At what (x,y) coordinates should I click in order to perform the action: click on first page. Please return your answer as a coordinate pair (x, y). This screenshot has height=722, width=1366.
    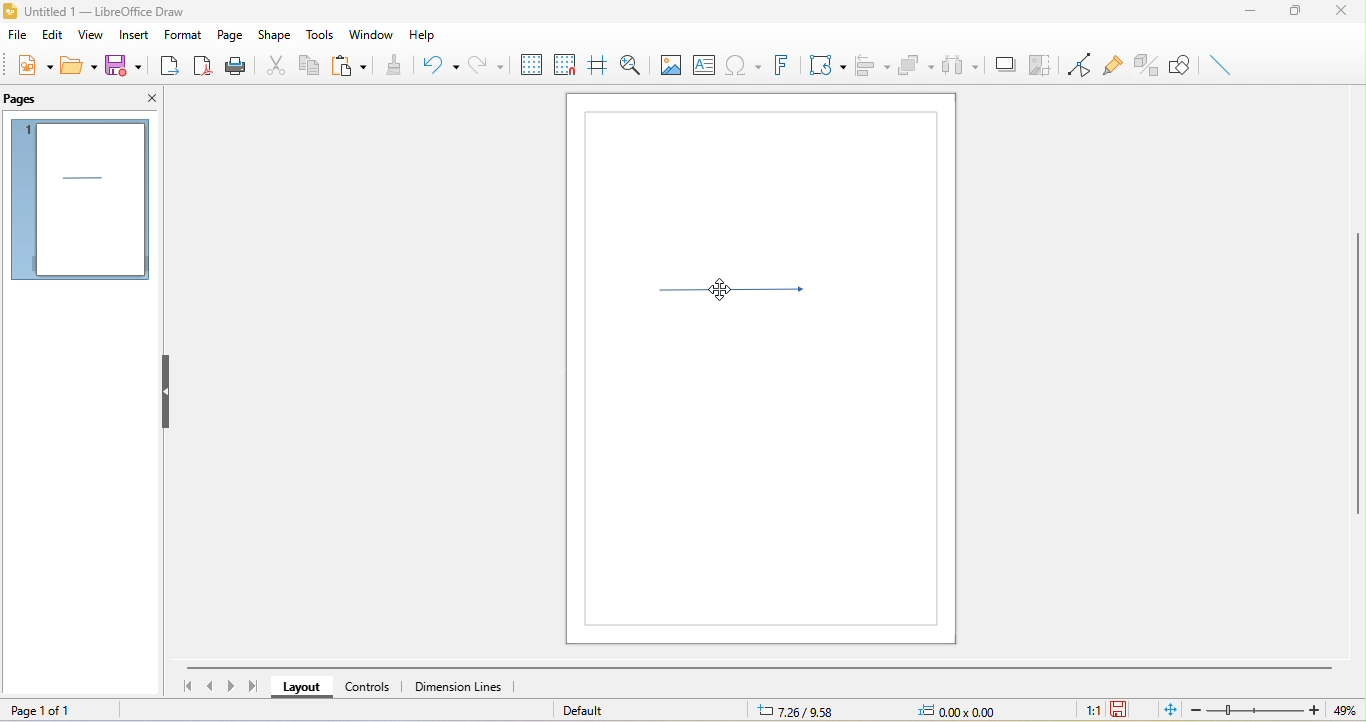
    Looking at the image, I should click on (185, 685).